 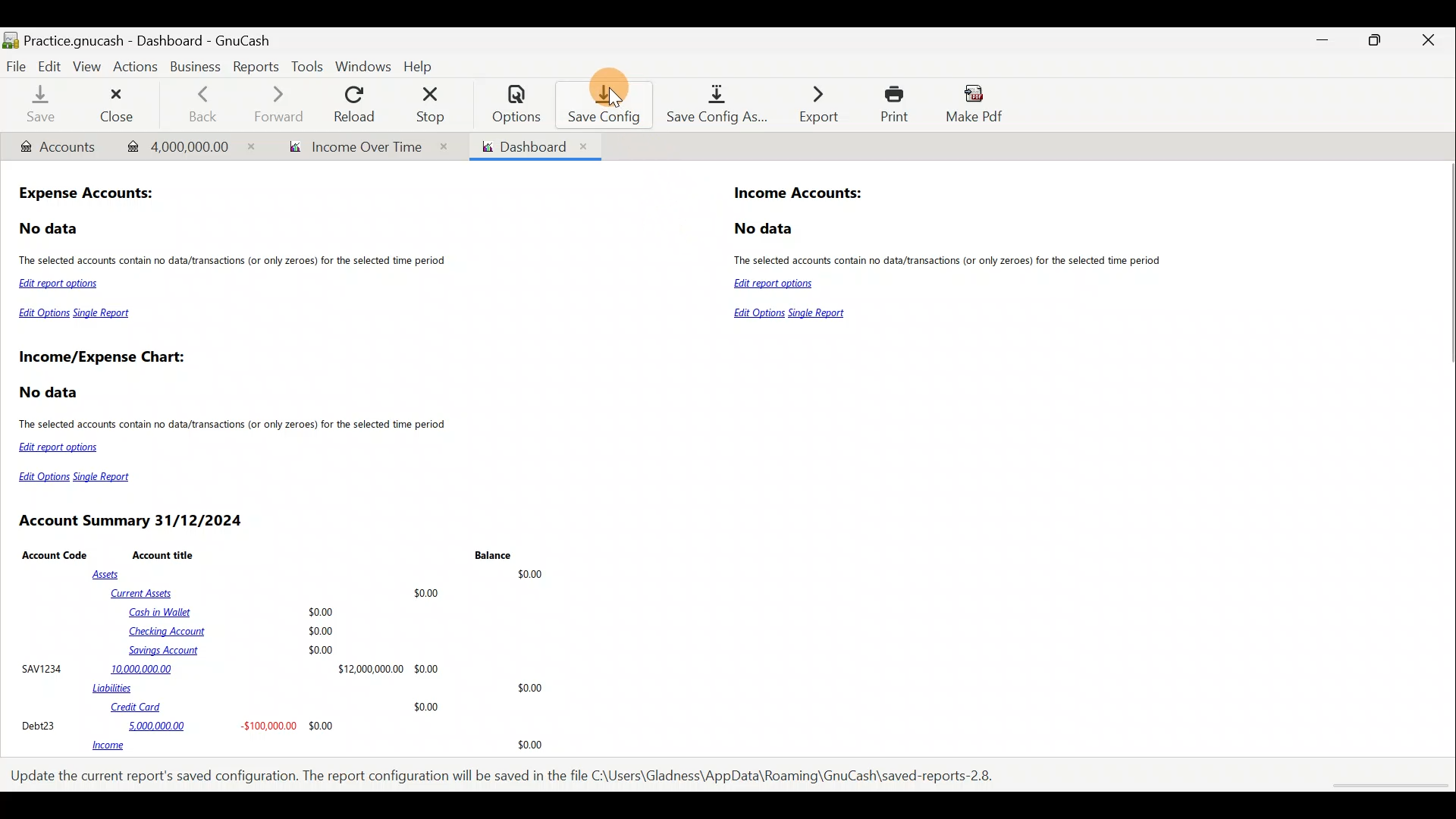 I want to click on File location, so click(x=508, y=774).